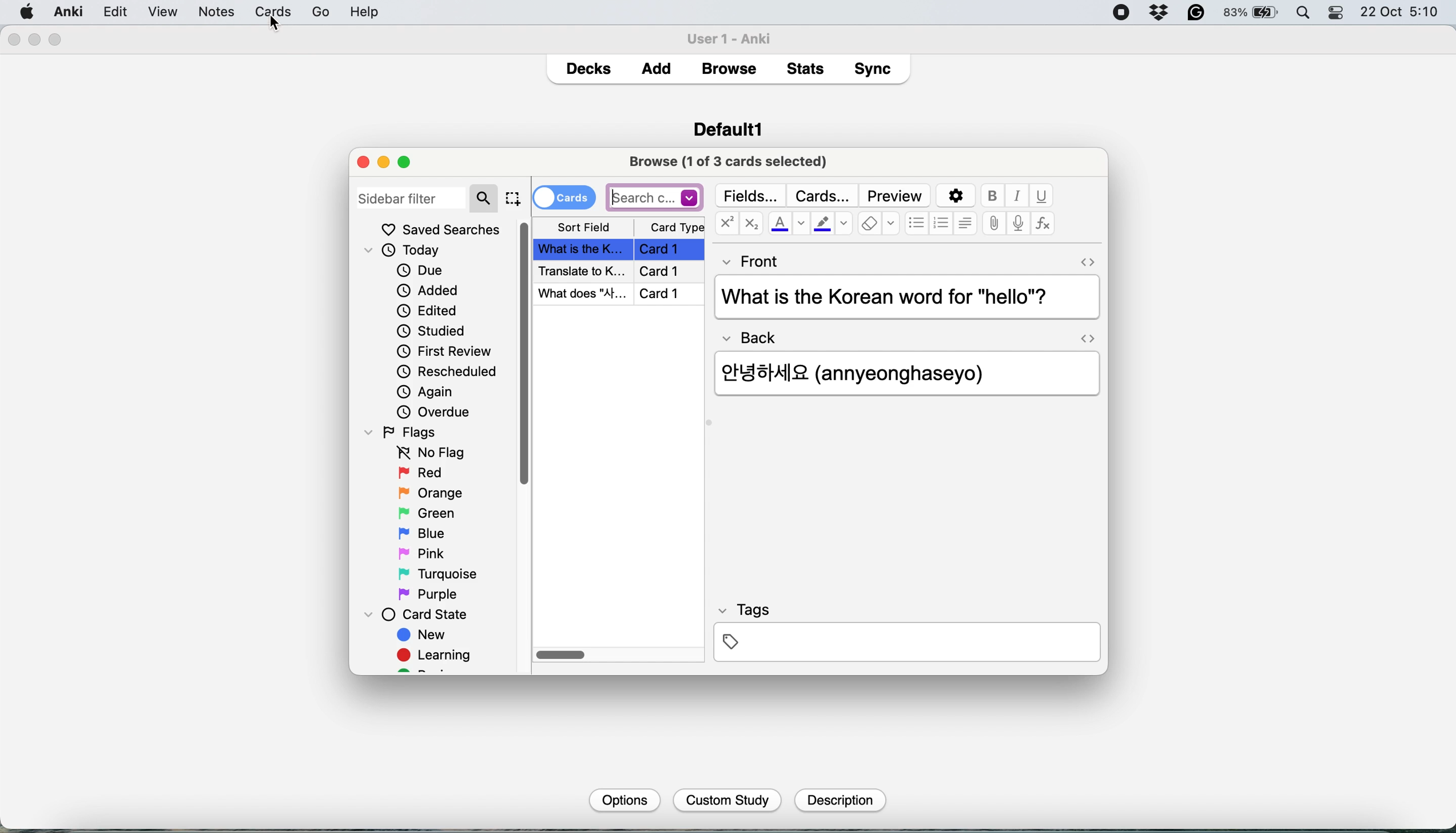  I want to click on search bar, so click(655, 197).